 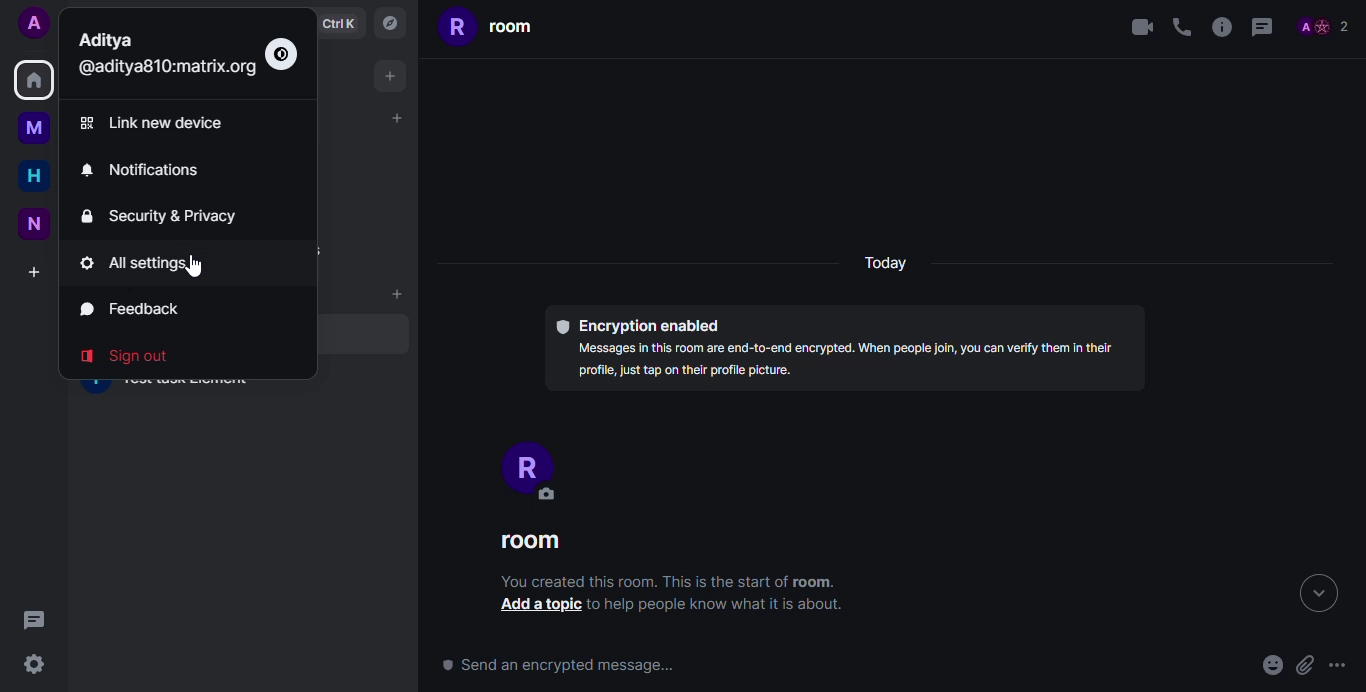 I want to click on id, so click(x=163, y=68).